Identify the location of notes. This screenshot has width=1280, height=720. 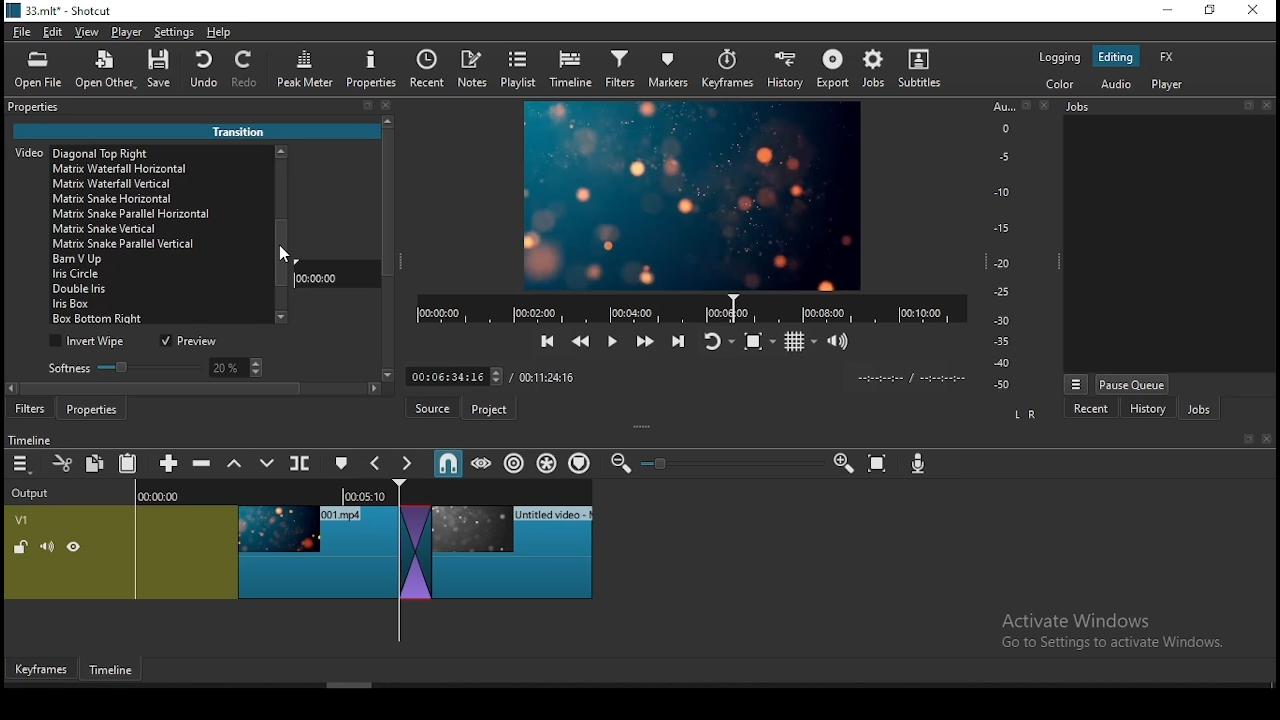
(475, 69).